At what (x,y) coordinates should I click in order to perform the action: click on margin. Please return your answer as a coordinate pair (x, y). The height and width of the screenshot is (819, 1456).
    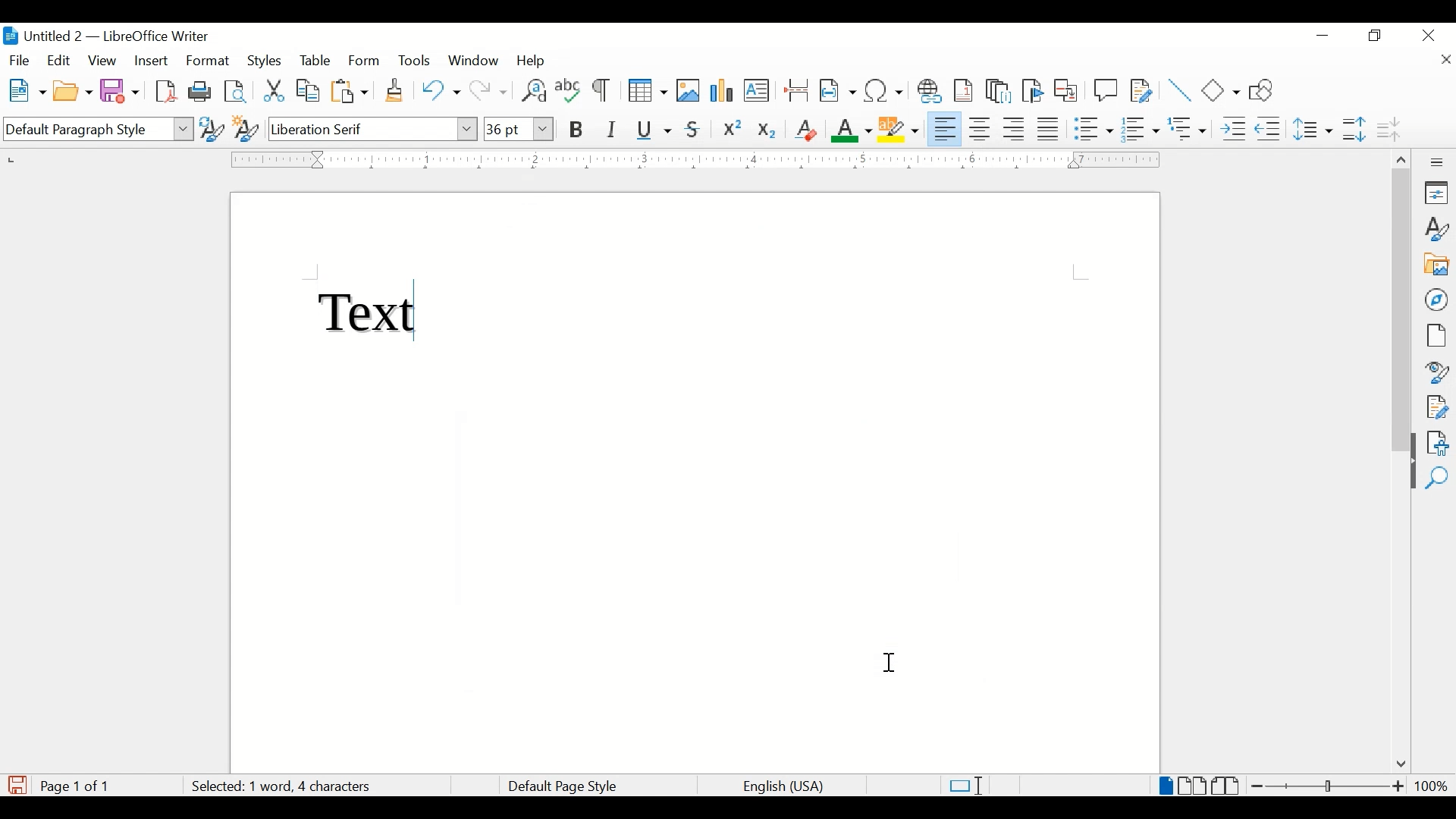
    Looking at the image, I should click on (692, 159).